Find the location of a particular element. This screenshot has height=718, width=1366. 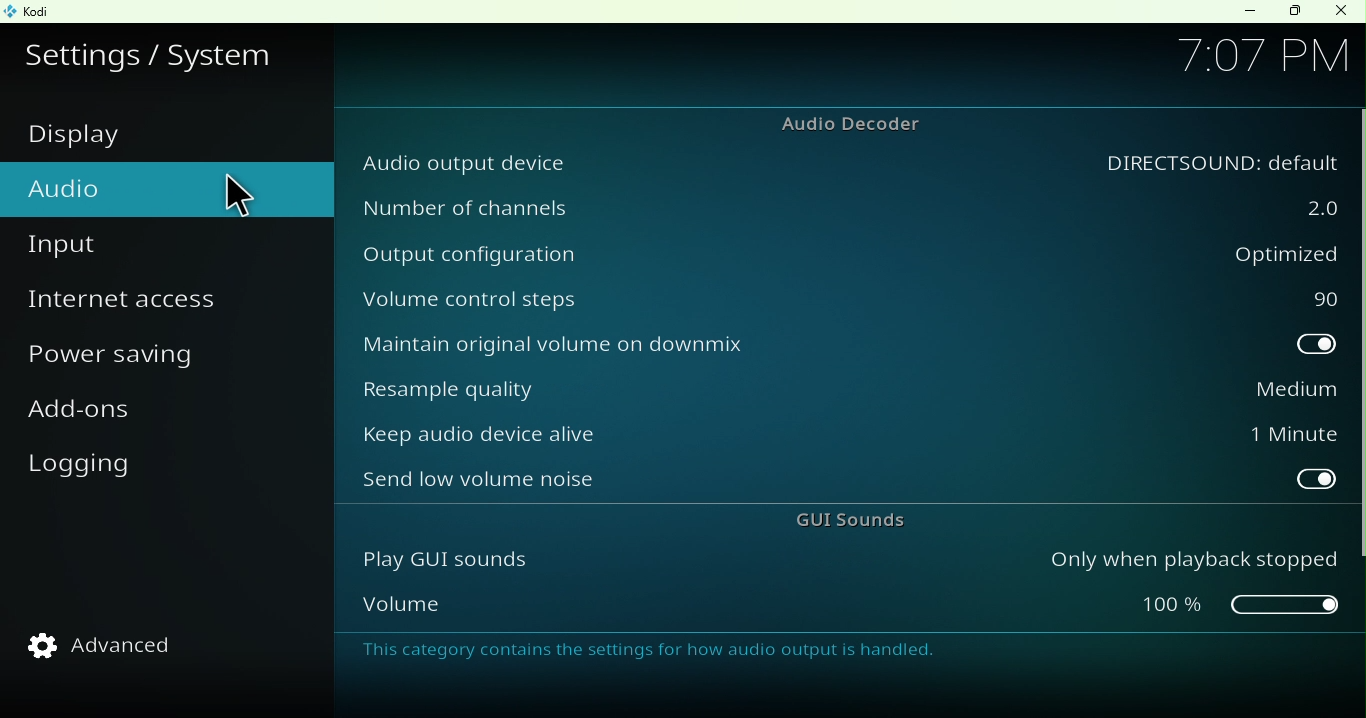

Resample quality is located at coordinates (720, 391).